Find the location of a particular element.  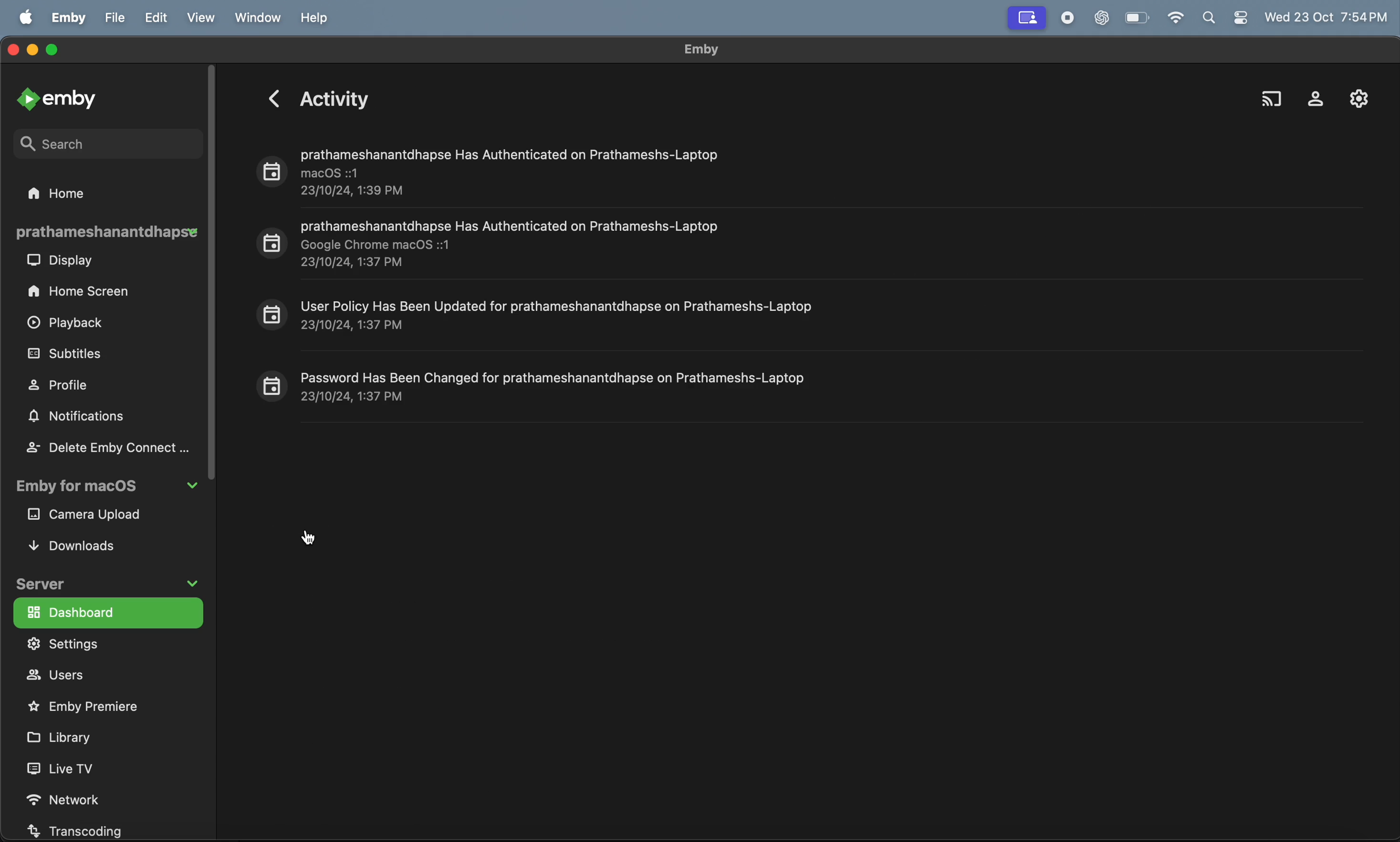

serach is located at coordinates (82, 142).